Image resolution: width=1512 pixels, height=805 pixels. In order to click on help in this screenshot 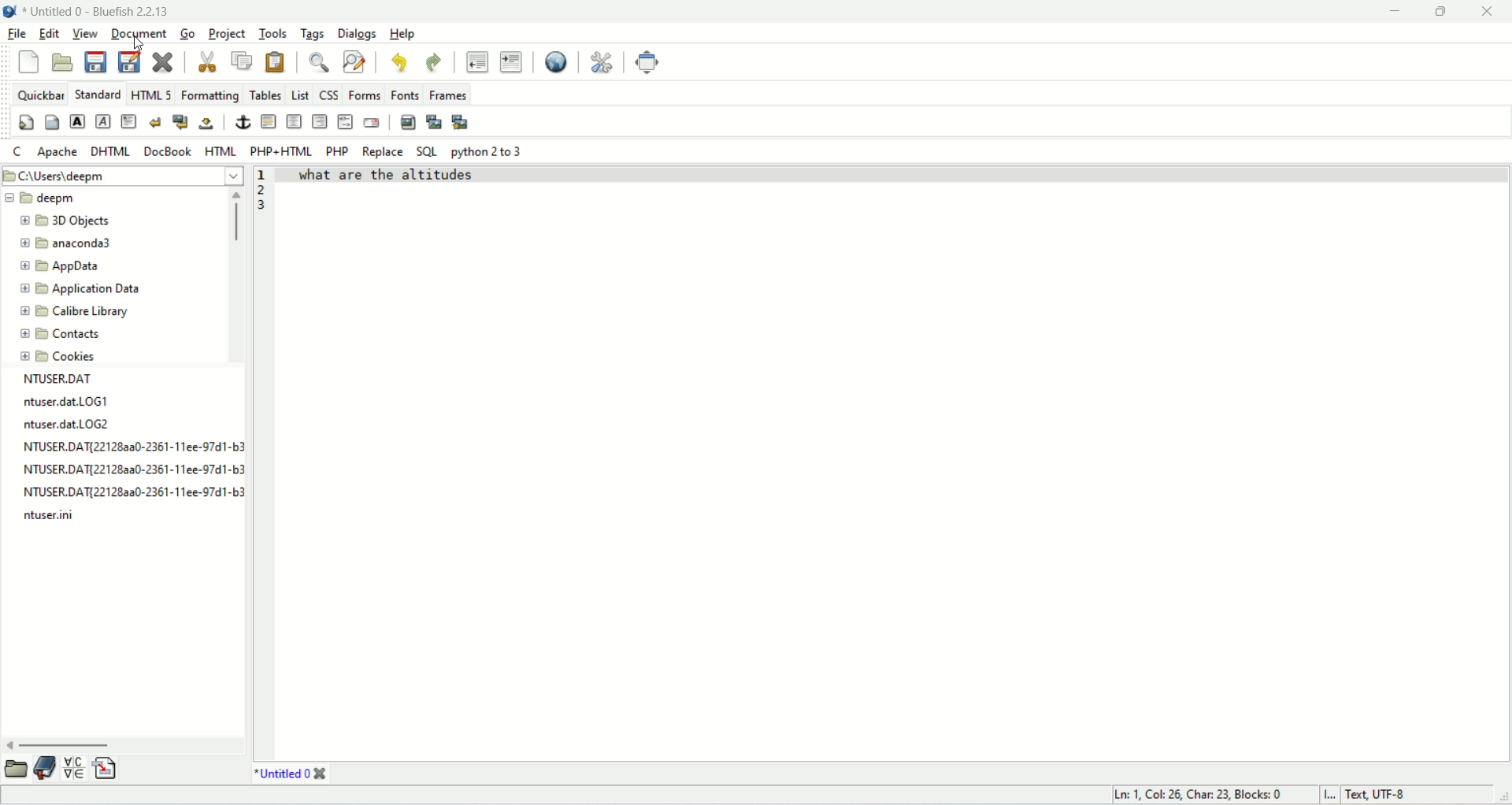, I will do `click(403, 34)`.